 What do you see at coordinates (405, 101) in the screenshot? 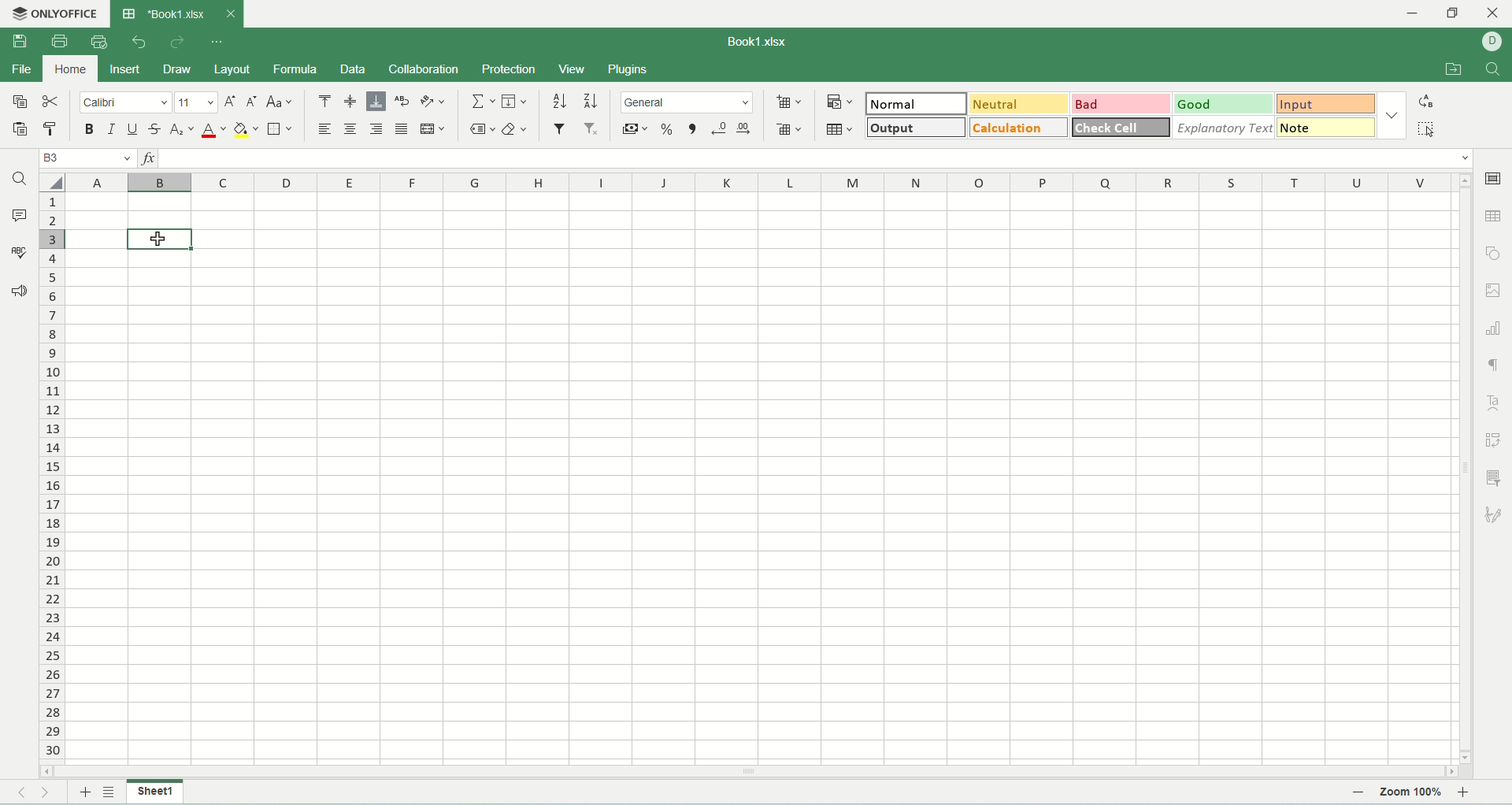
I see `wrap text` at bounding box center [405, 101].